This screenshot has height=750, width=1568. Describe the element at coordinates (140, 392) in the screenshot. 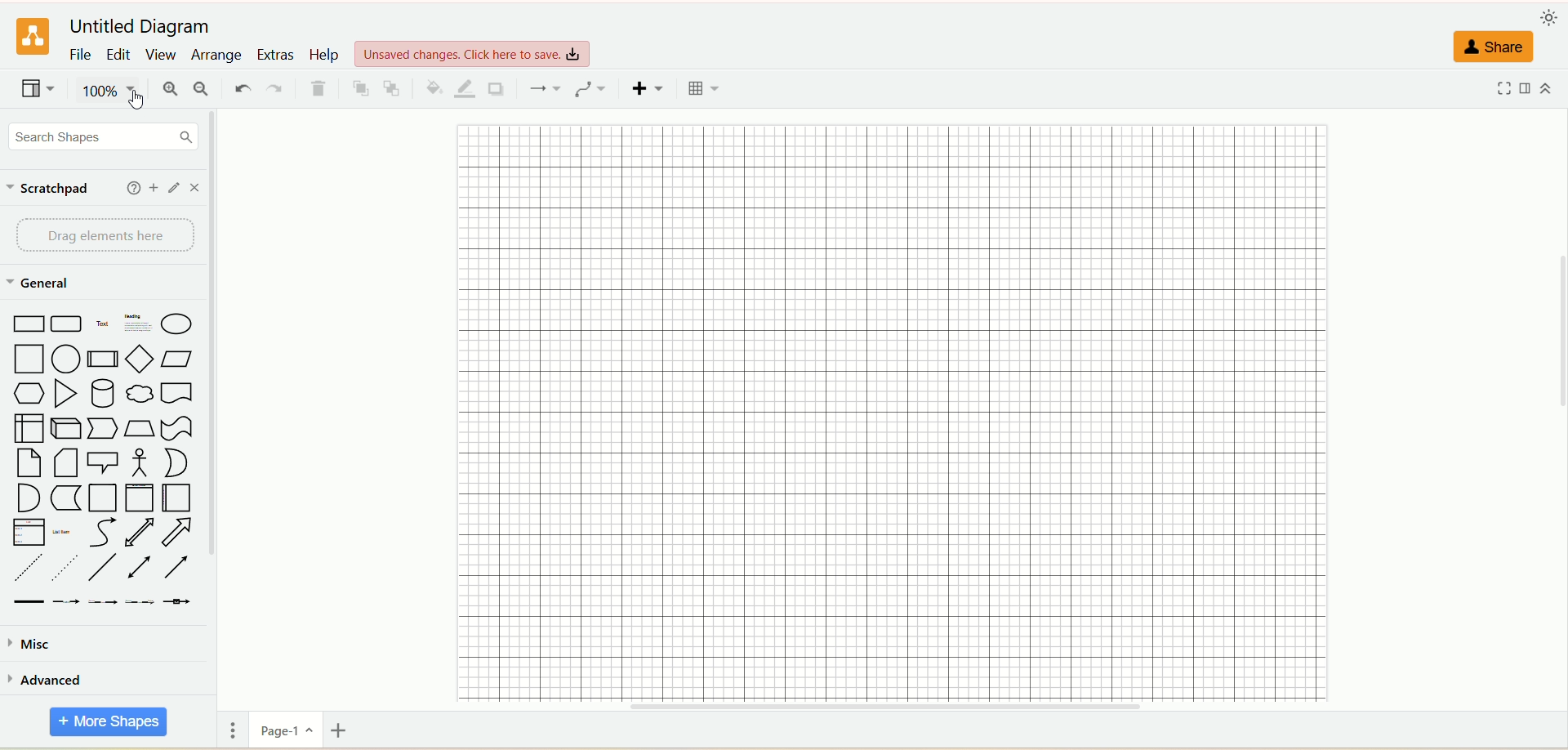

I see `cloud` at that location.